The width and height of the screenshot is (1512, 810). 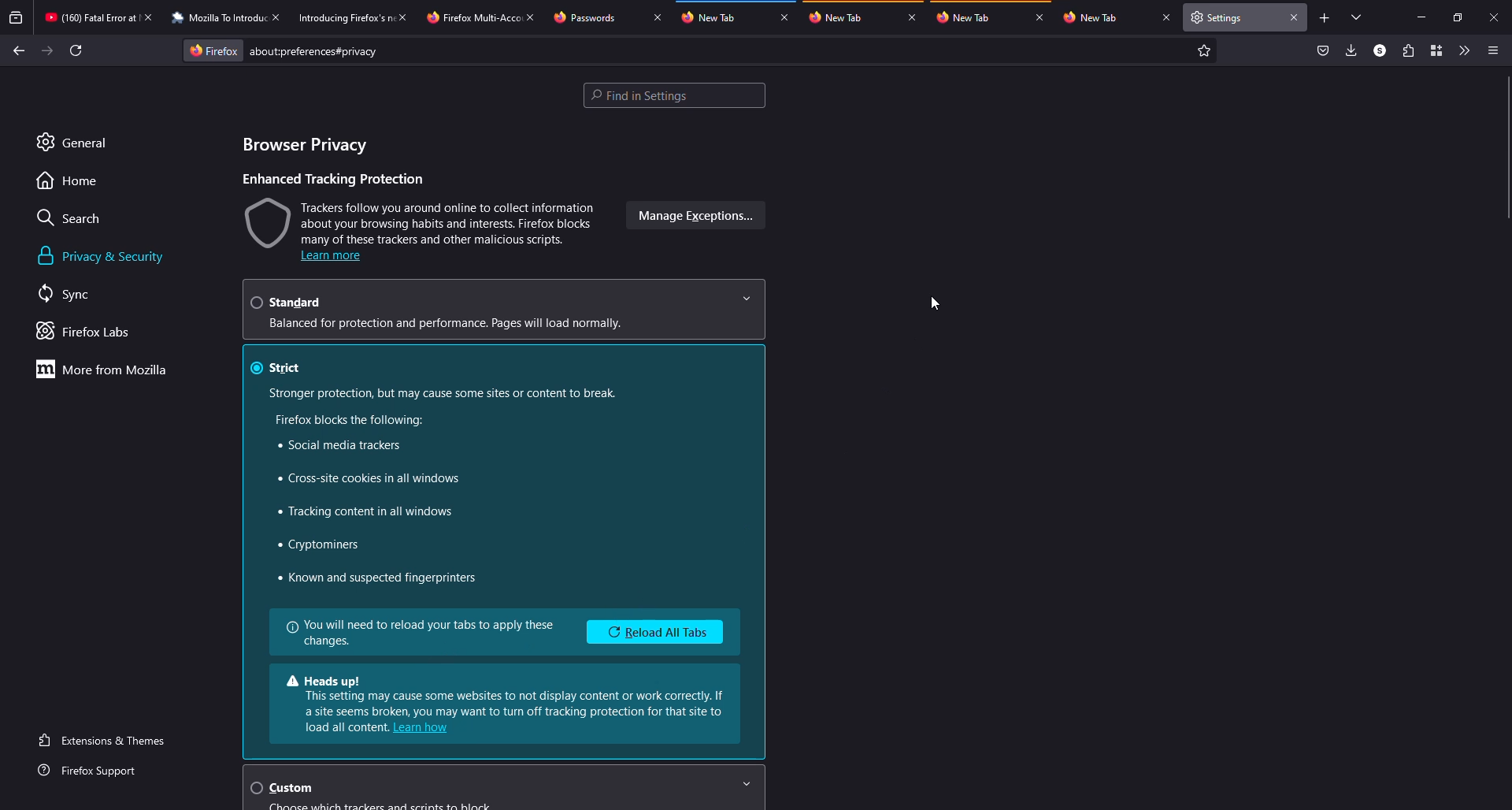 I want to click on settings, so click(x=1221, y=17).